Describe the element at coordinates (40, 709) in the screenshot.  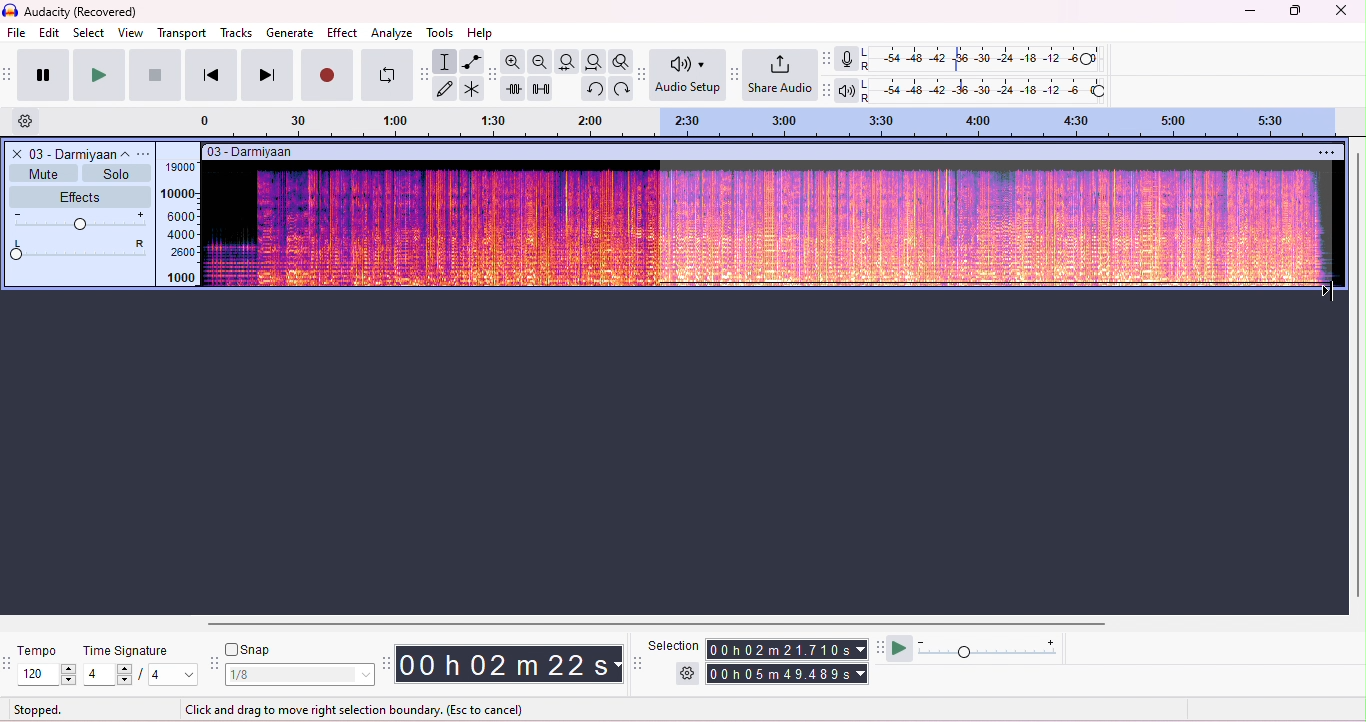
I see `stopped` at that location.